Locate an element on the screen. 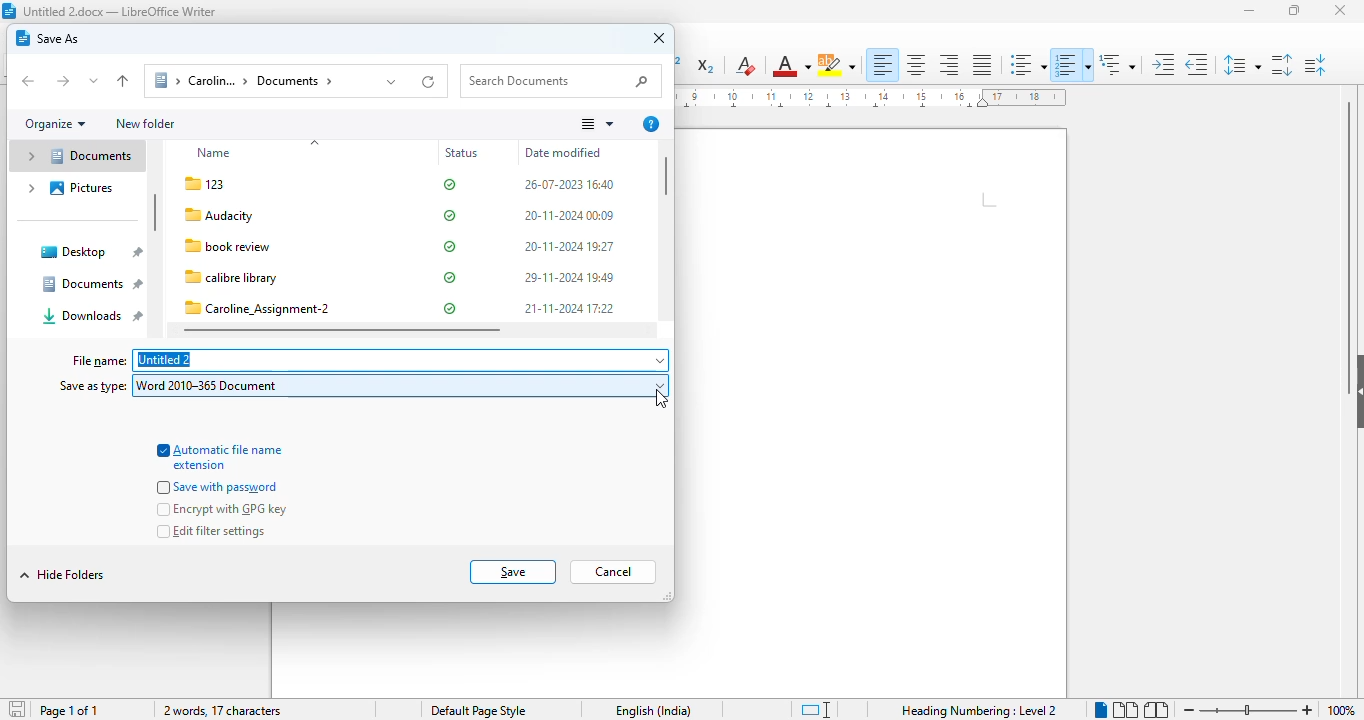 Image resolution: width=1364 pixels, height=720 pixels. minimize is located at coordinates (1251, 11).